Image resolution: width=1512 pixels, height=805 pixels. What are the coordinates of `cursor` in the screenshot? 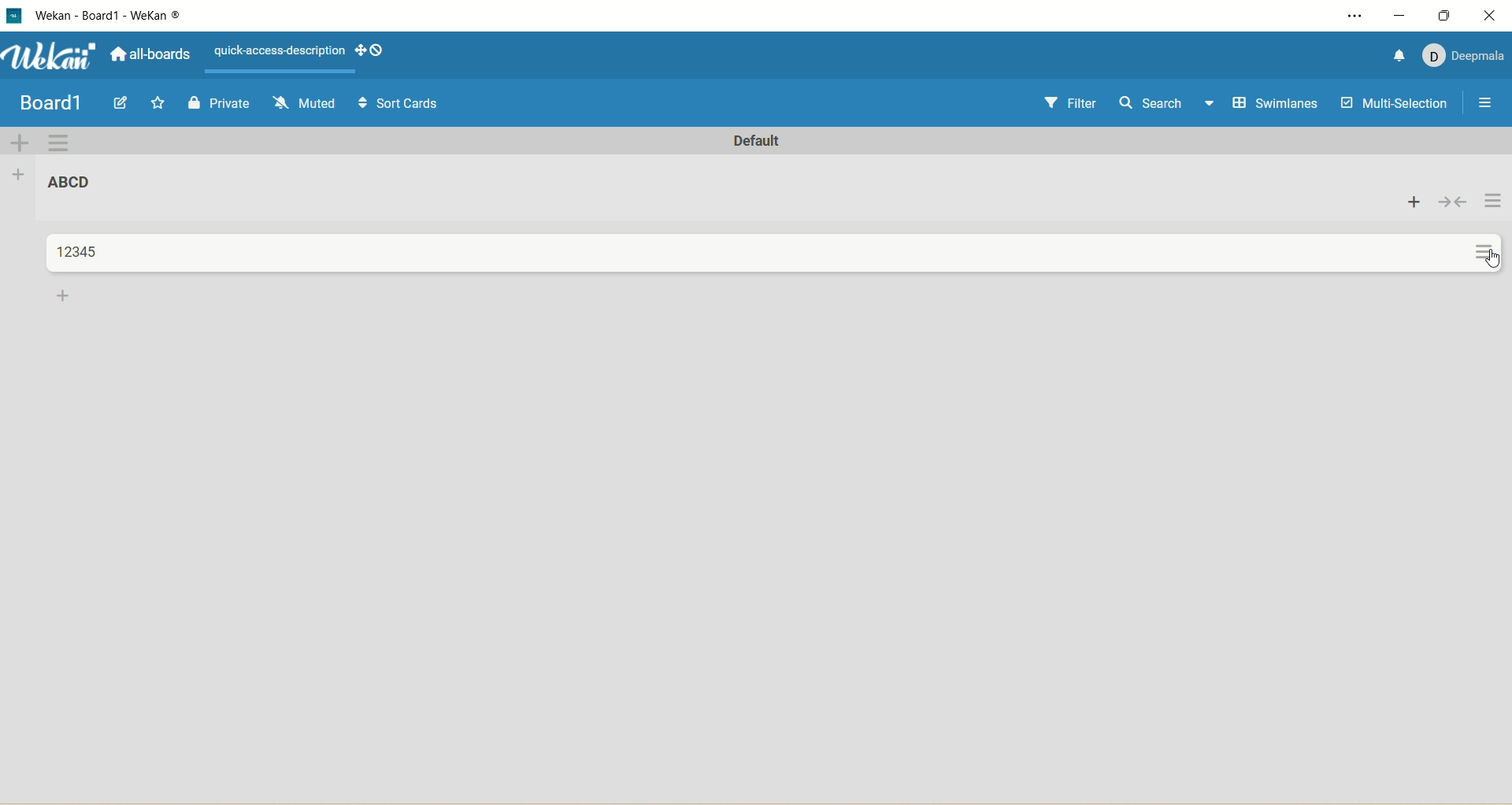 It's located at (1492, 265).